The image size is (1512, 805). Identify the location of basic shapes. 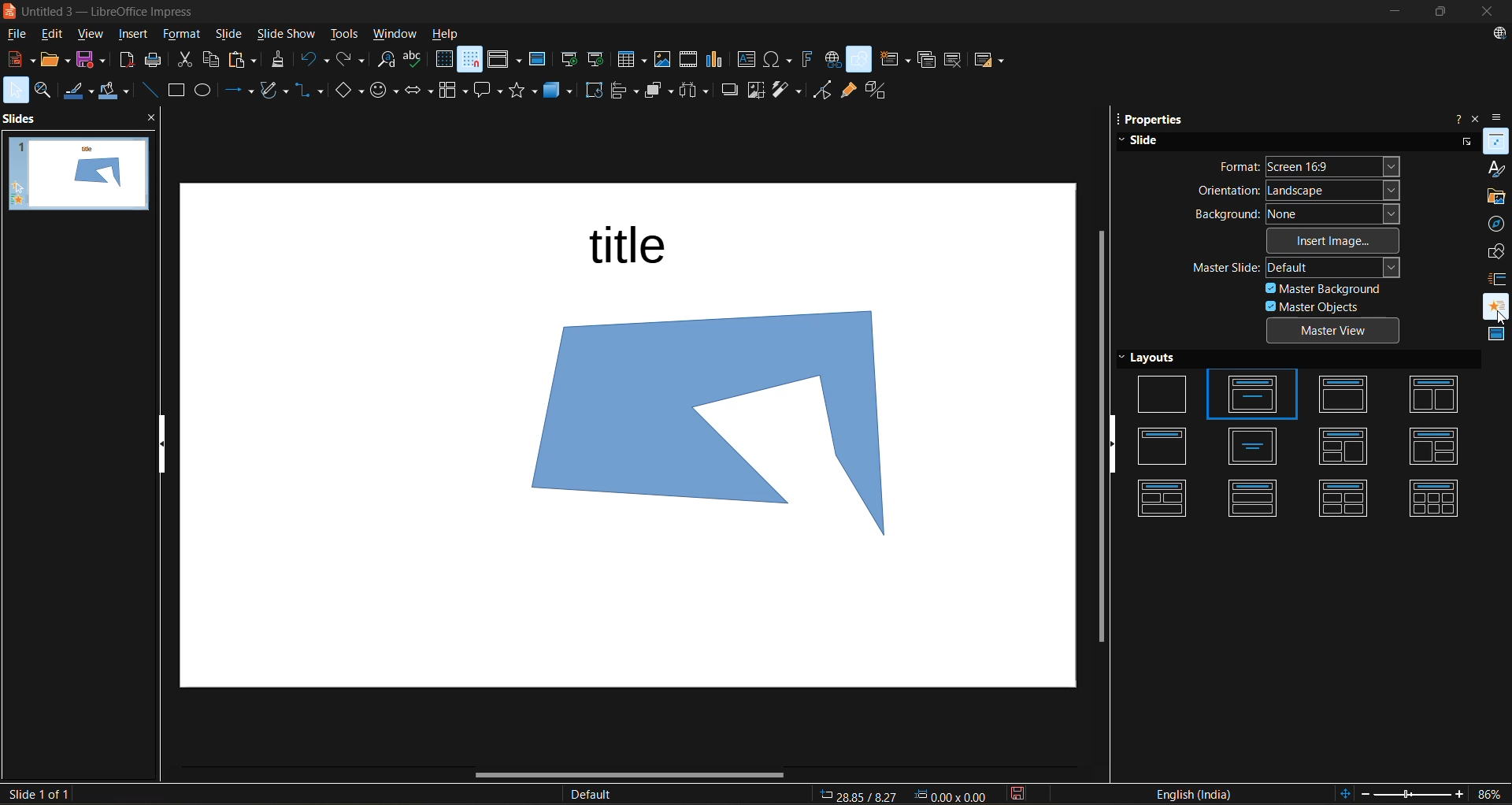
(352, 95).